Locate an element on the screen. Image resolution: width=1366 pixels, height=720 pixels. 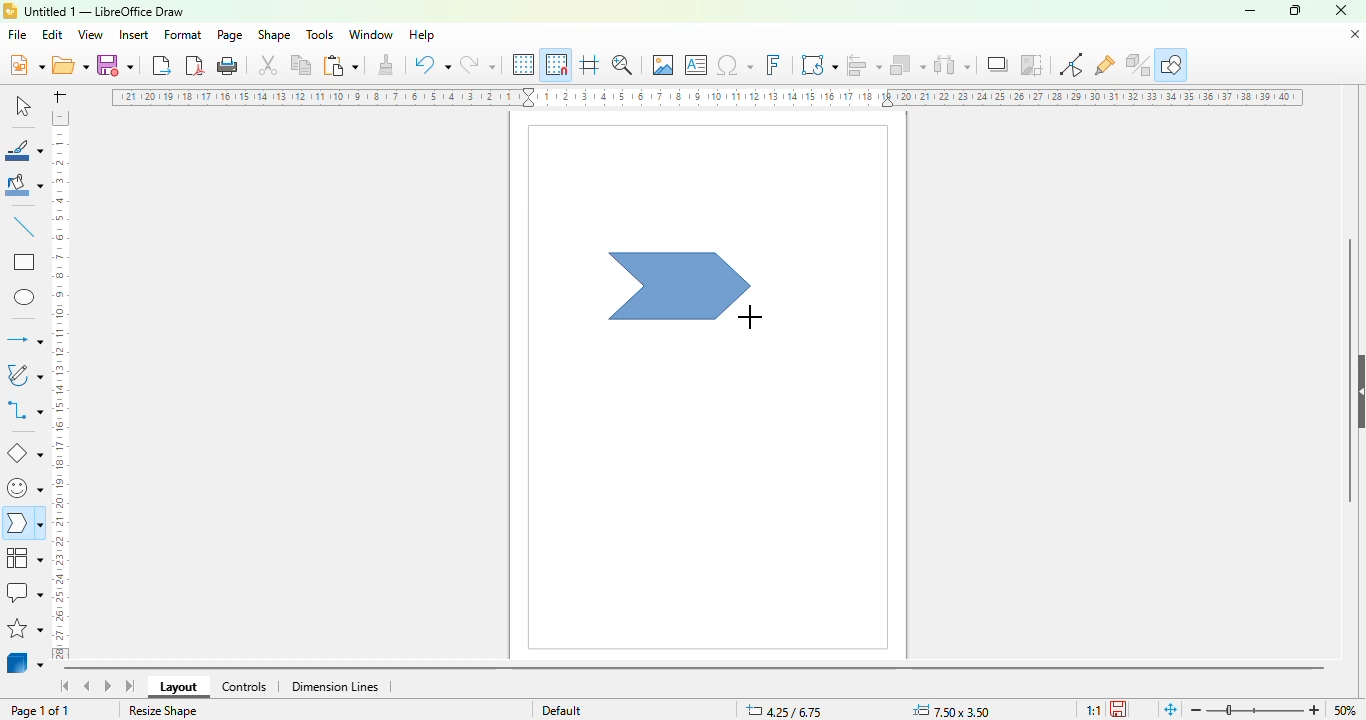
click to save the document is located at coordinates (1118, 709).